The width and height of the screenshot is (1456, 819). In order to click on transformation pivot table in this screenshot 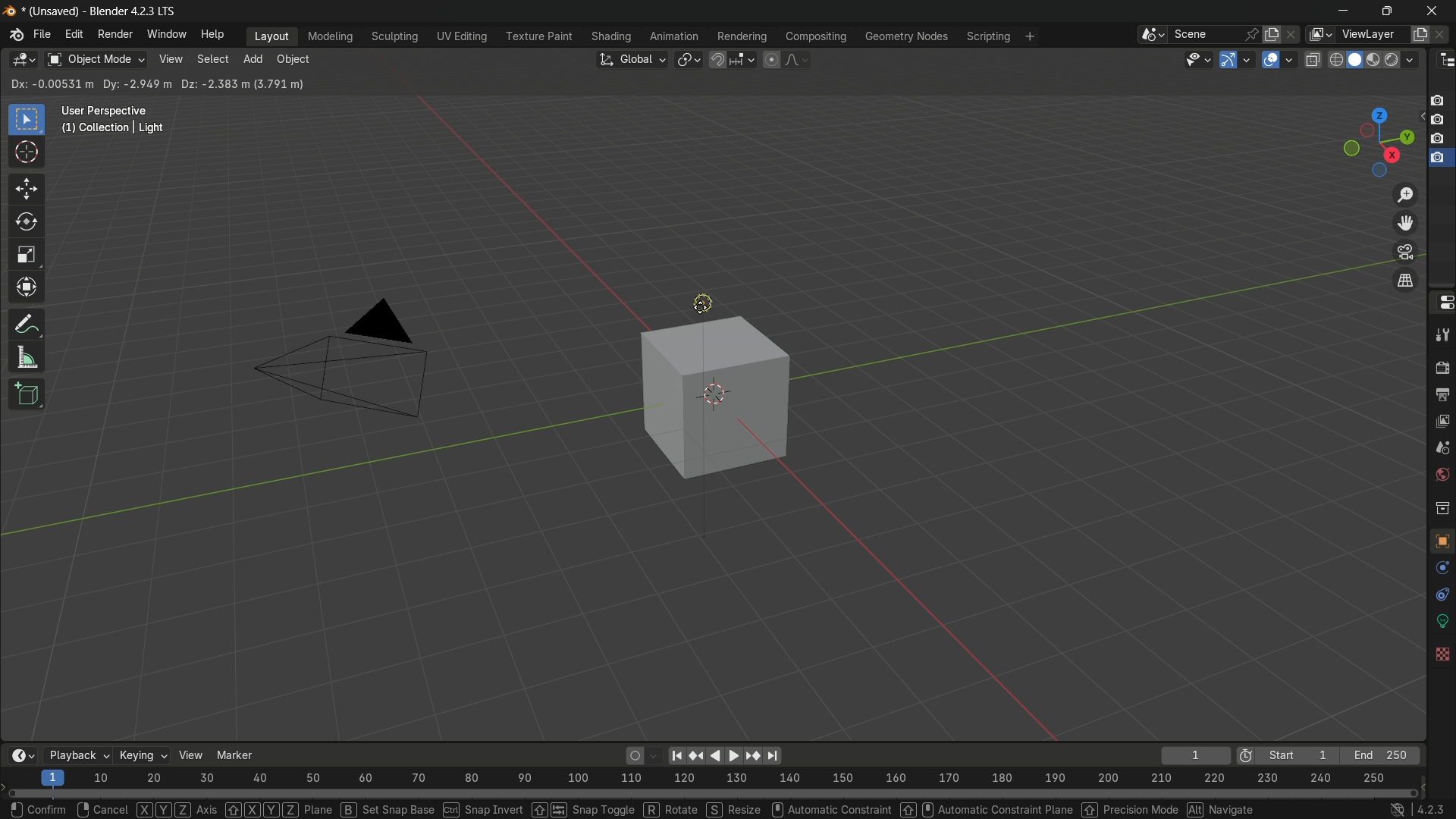, I will do `click(689, 58)`.